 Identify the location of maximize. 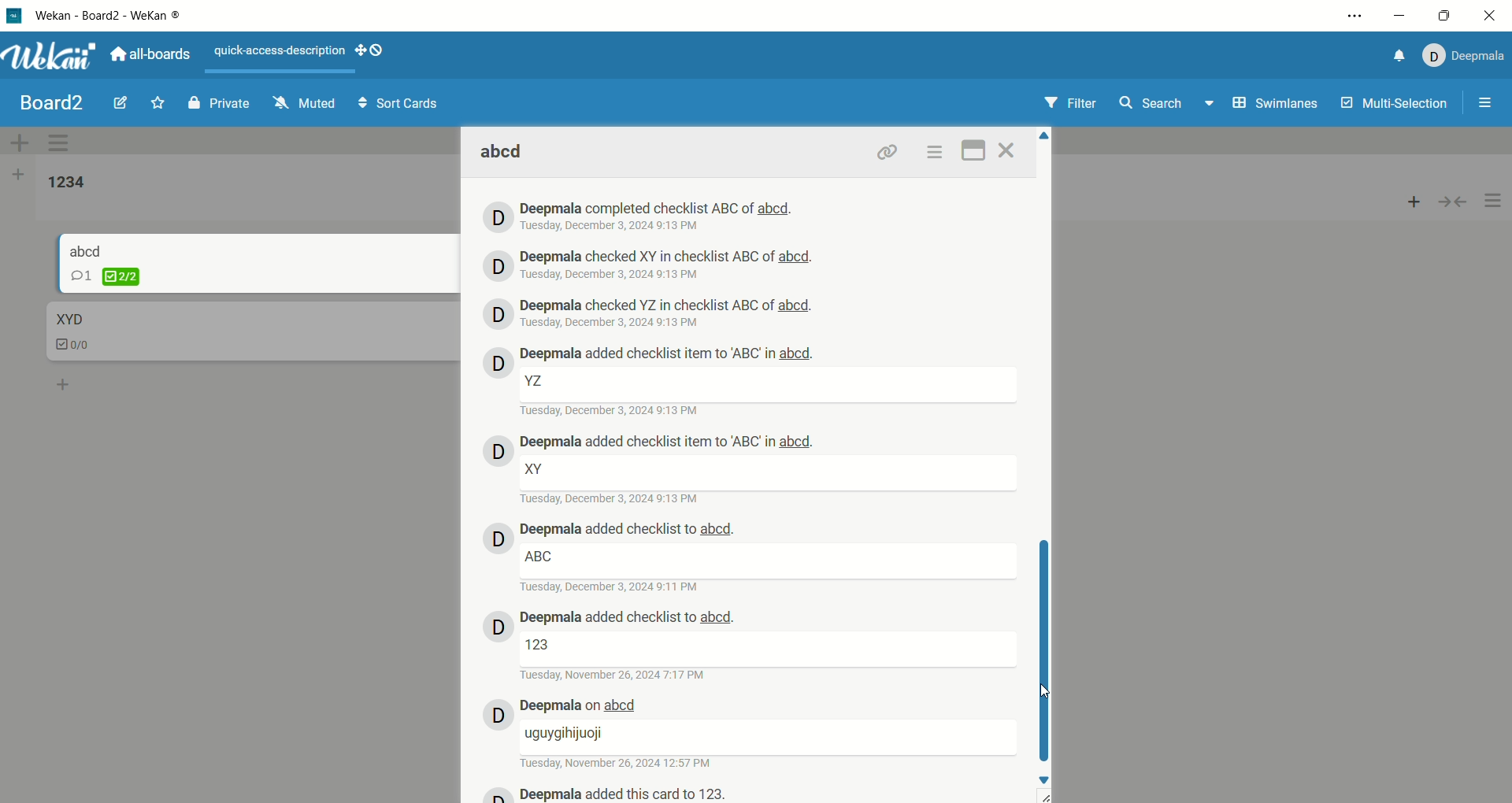
(1444, 17).